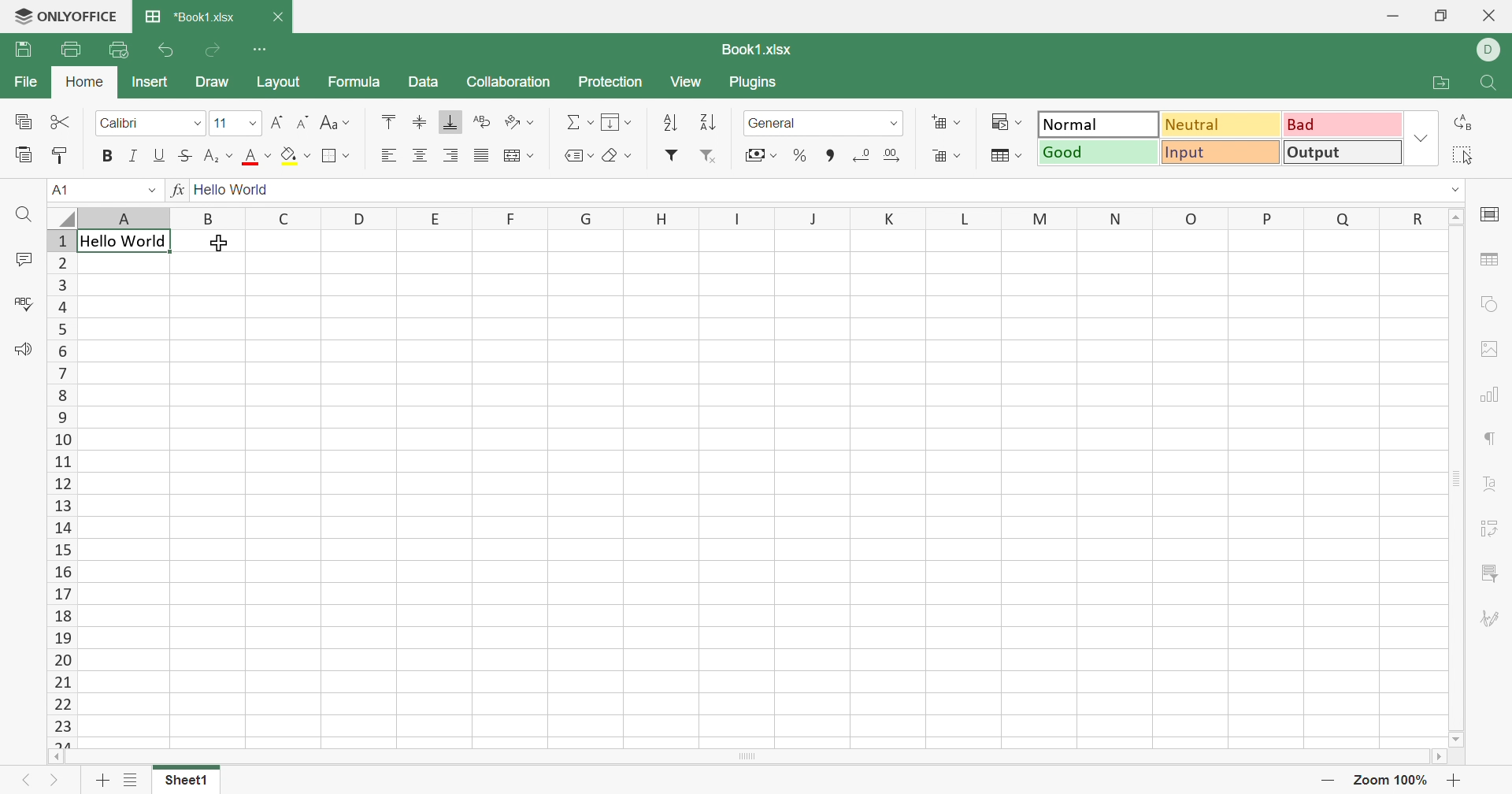 The height and width of the screenshot is (794, 1512). I want to click on Fill color, so click(297, 156).